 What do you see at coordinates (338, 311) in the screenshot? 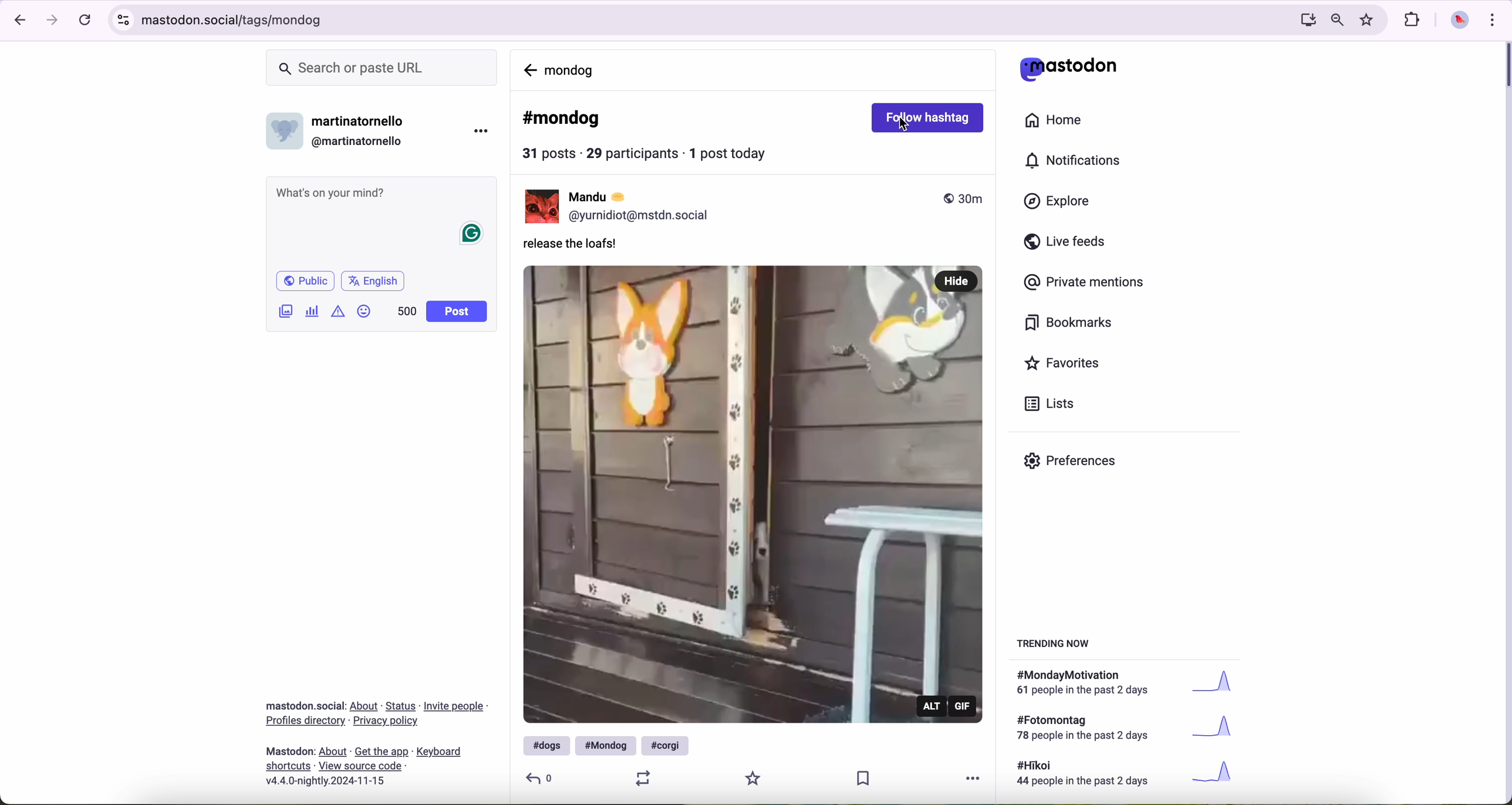
I see `icon` at bounding box center [338, 311].